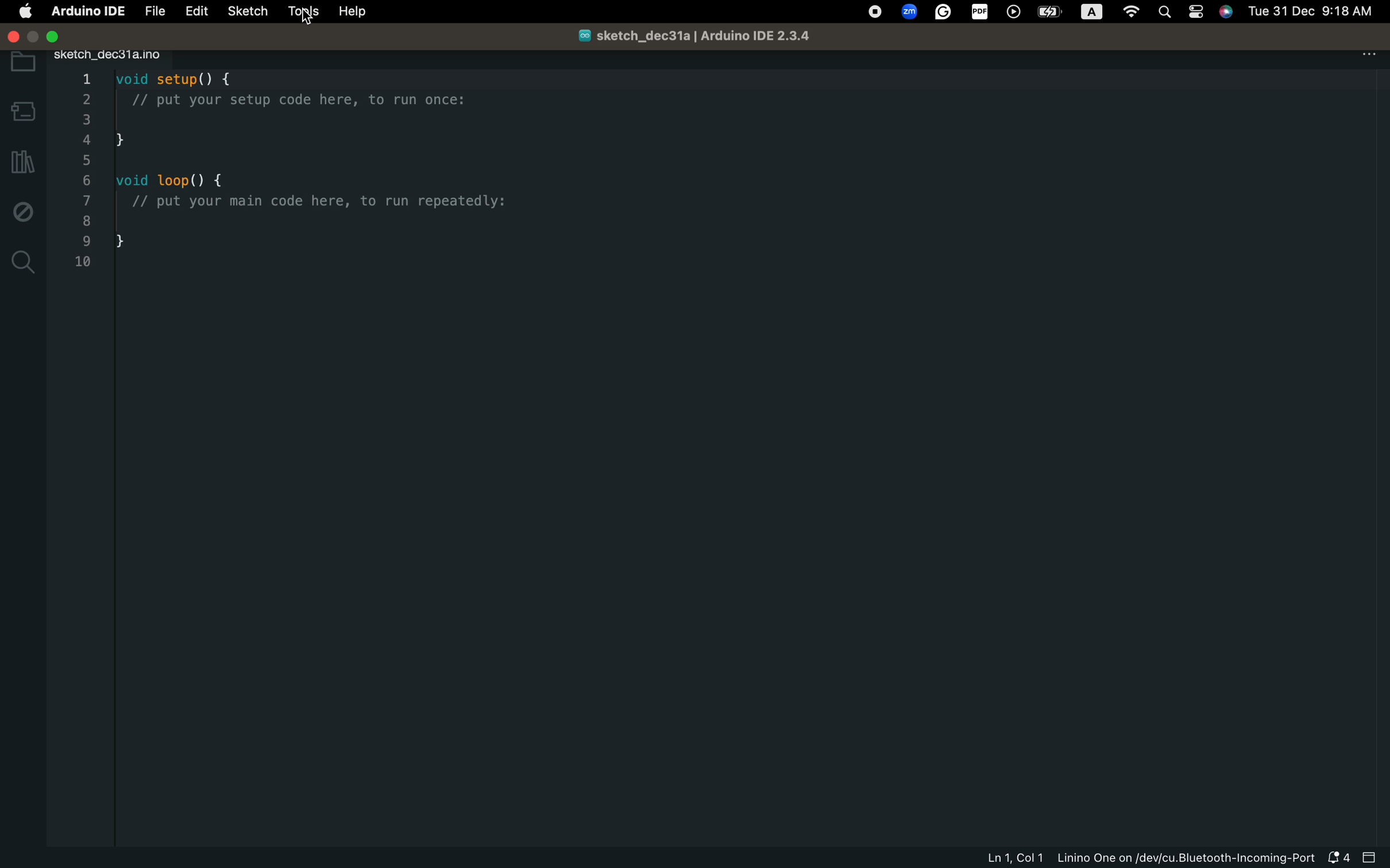 This screenshot has width=1390, height=868. Describe the element at coordinates (980, 13) in the screenshot. I see `pdf extension` at that location.